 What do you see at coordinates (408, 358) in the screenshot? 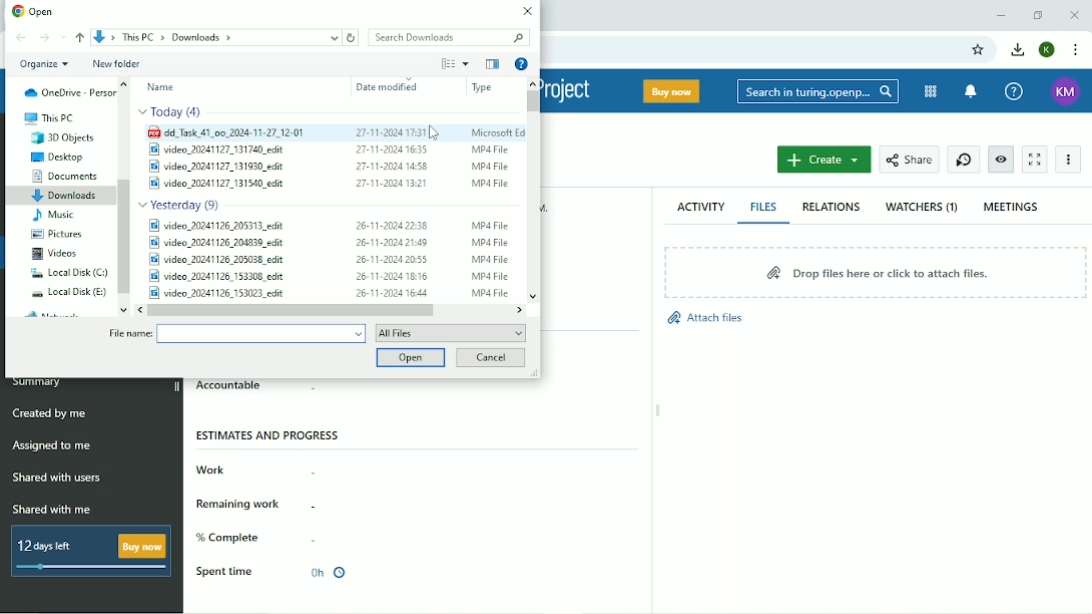
I see `Open` at bounding box center [408, 358].